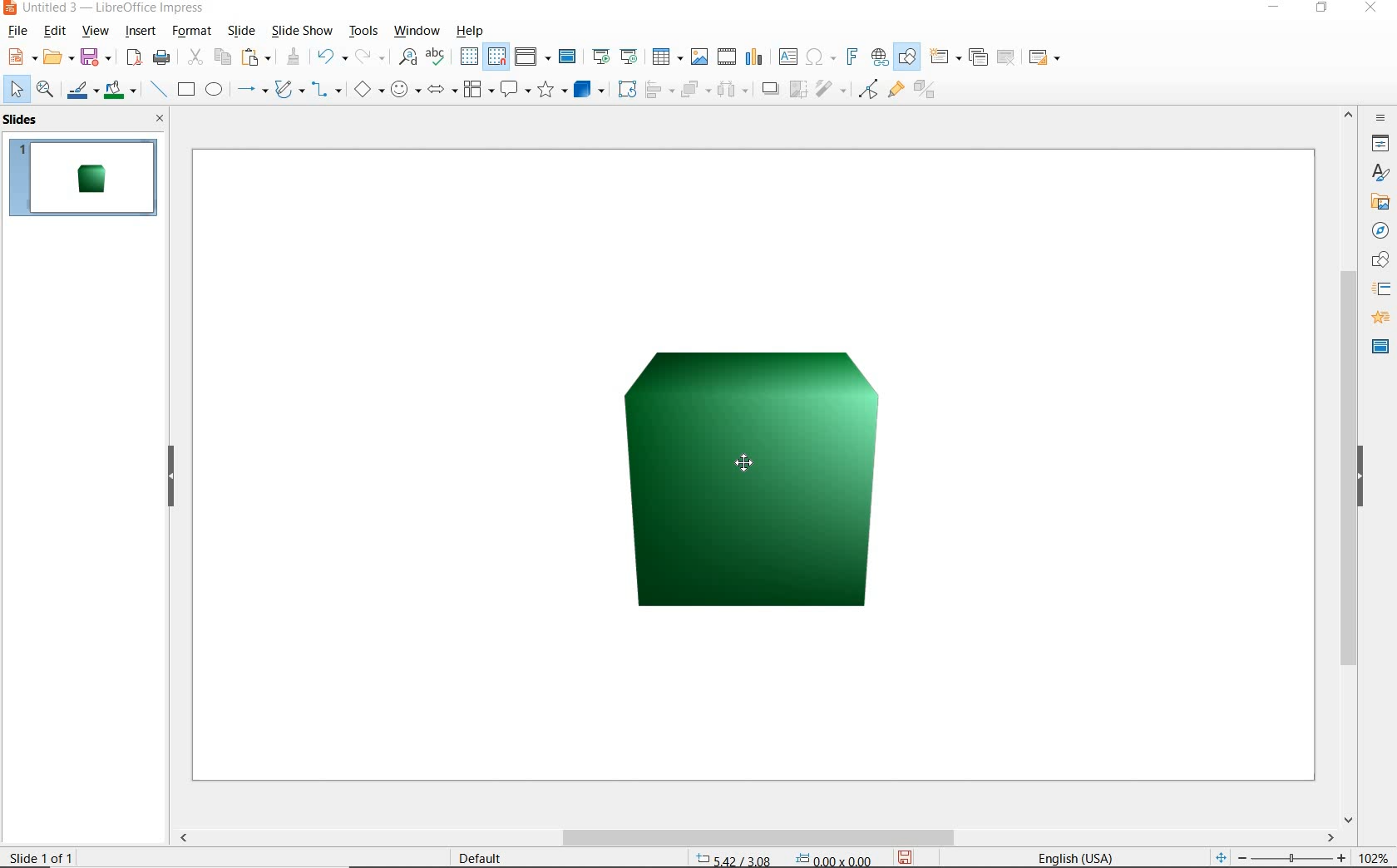 Image resolution: width=1397 pixels, height=868 pixels. Describe the element at coordinates (773, 91) in the screenshot. I see `SHADOW` at that location.